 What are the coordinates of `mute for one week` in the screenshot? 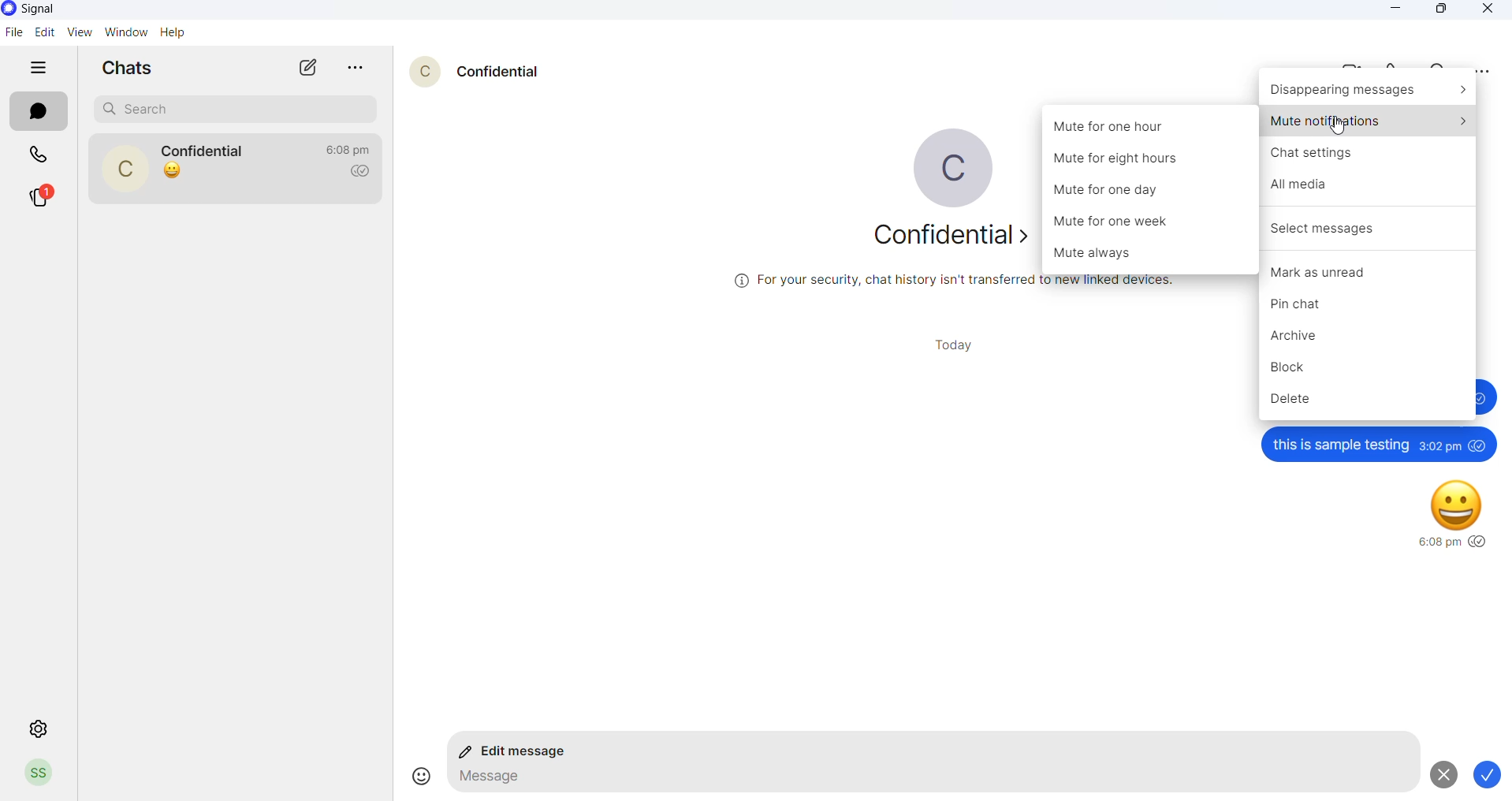 It's located at (1152, 225).